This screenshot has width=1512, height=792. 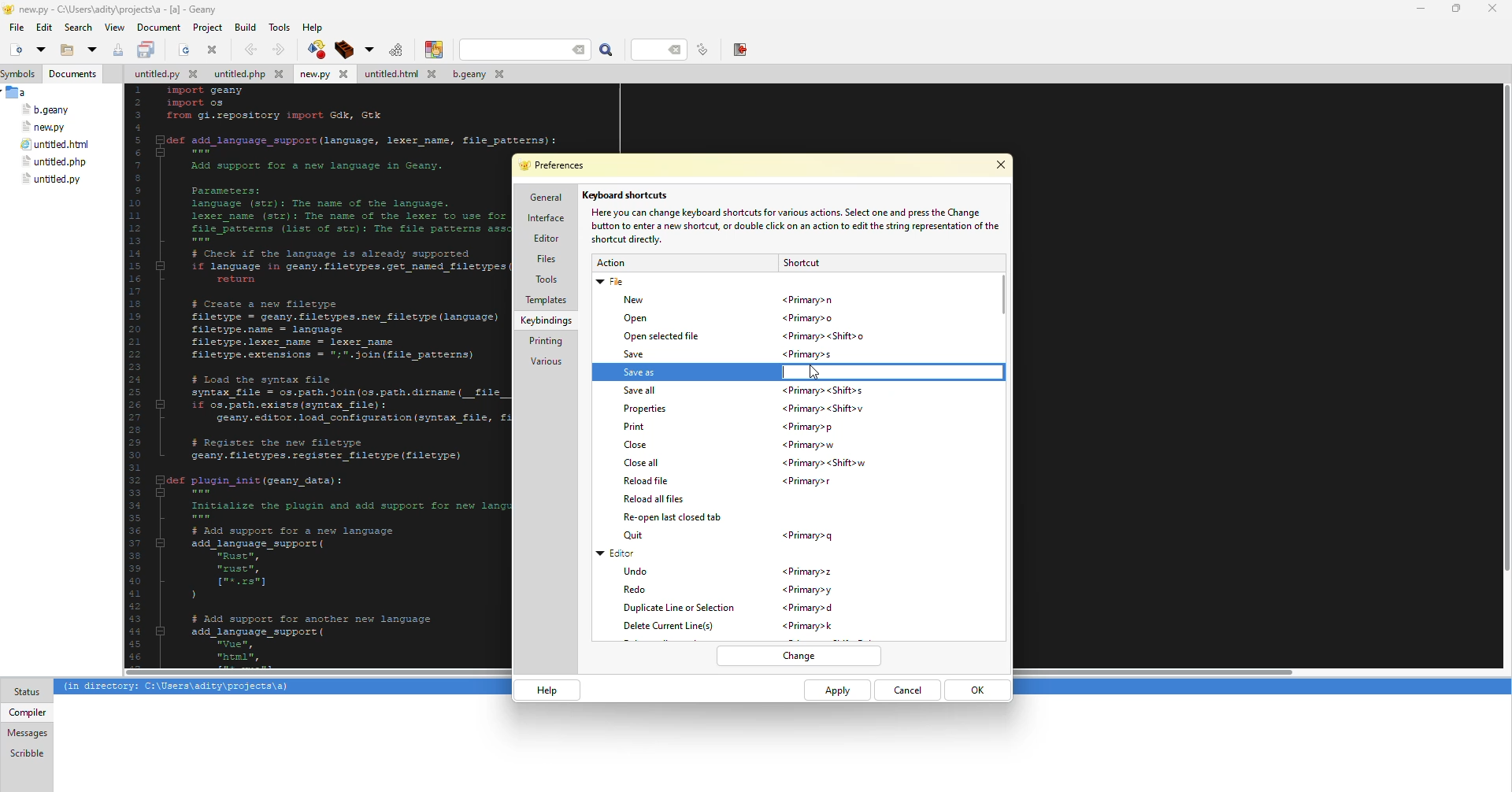 What do you see at coordinates (791, 226) in the screenshot?
I see `info` at bounding box center [791, 226].